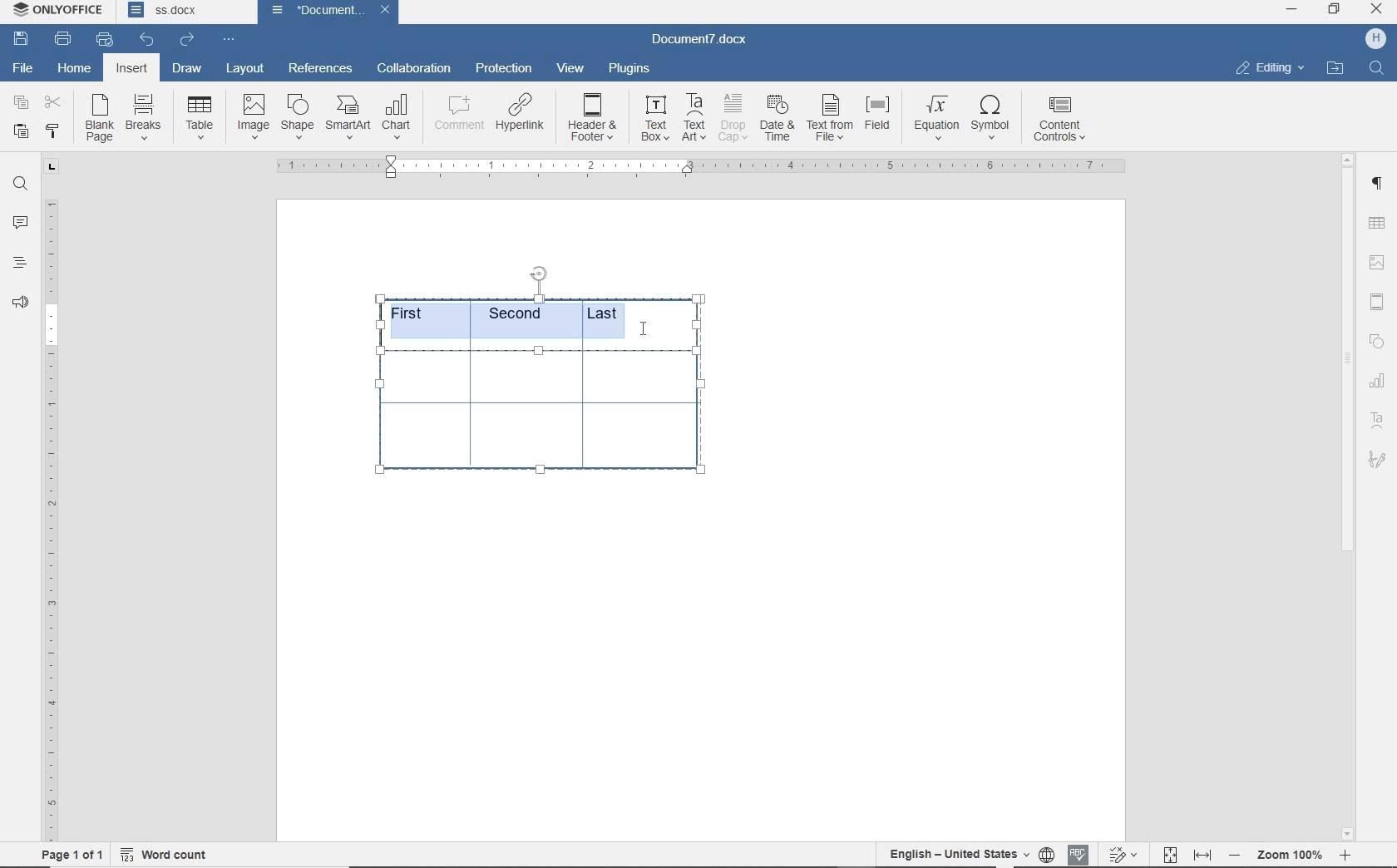 The image size is (1397, 868). Describe the element at coordinates (880, 118) in the screenshot. I see `field` at that location.